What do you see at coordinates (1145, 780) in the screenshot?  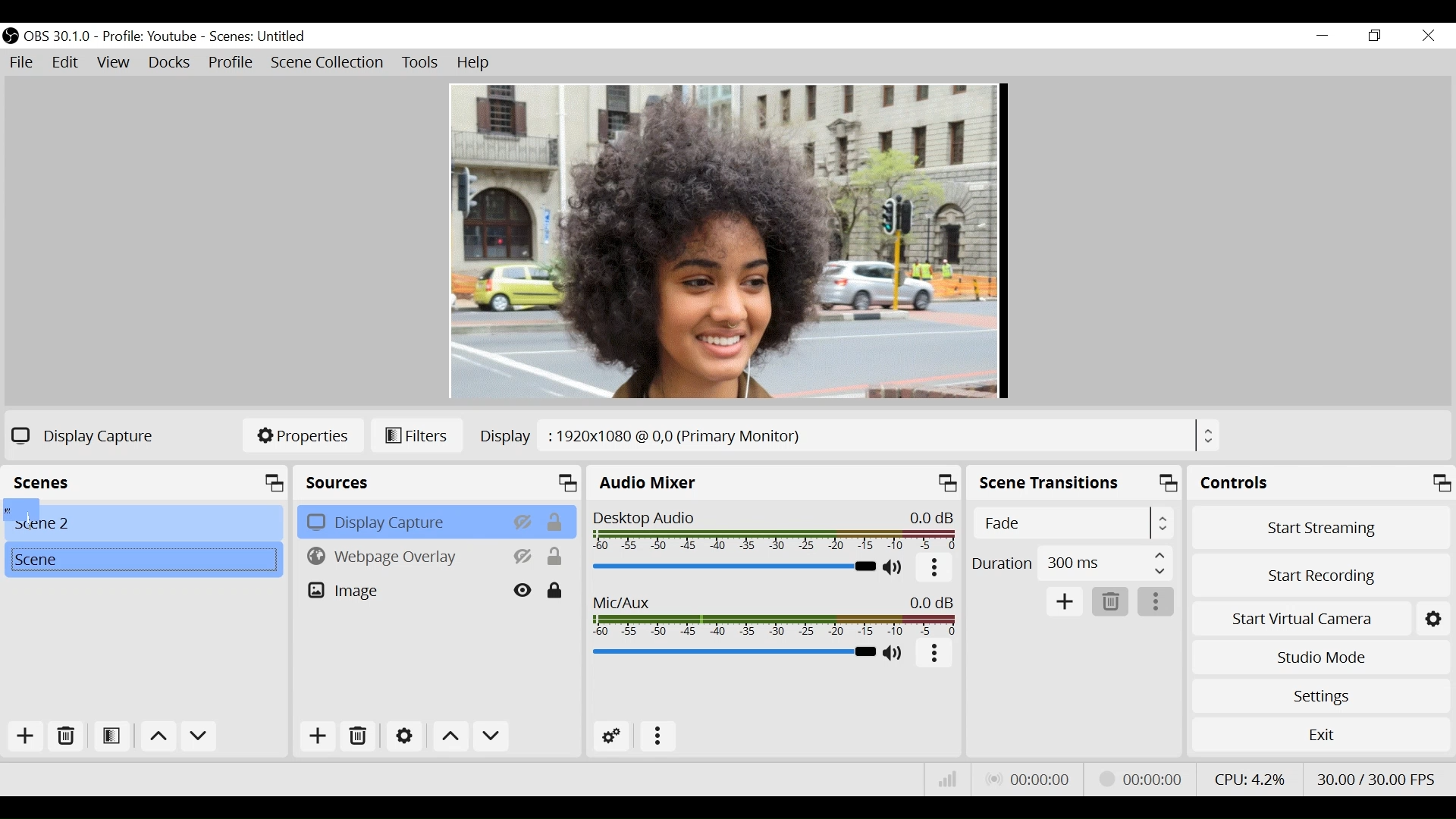 I see `Streaming Status` at bounding box center [1145, 780].